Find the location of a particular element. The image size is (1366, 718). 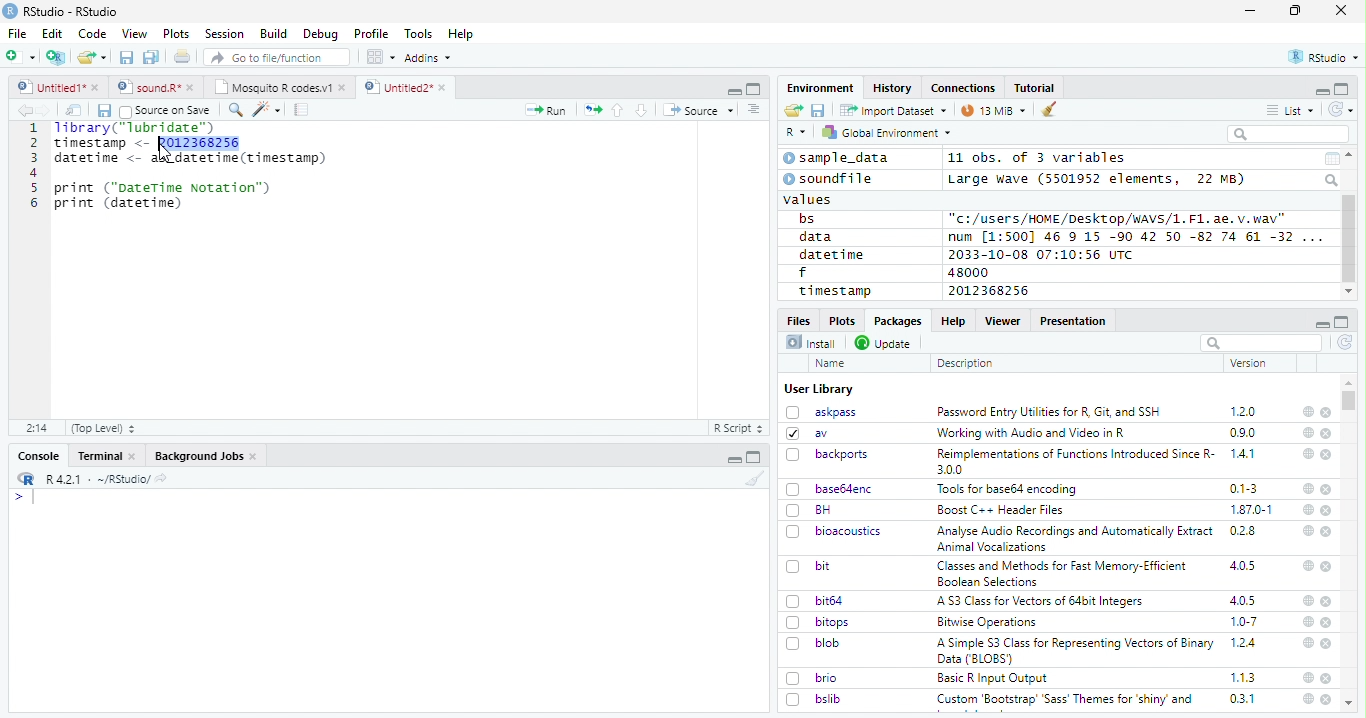

Background Jobs is located at coordinates (206, 456).